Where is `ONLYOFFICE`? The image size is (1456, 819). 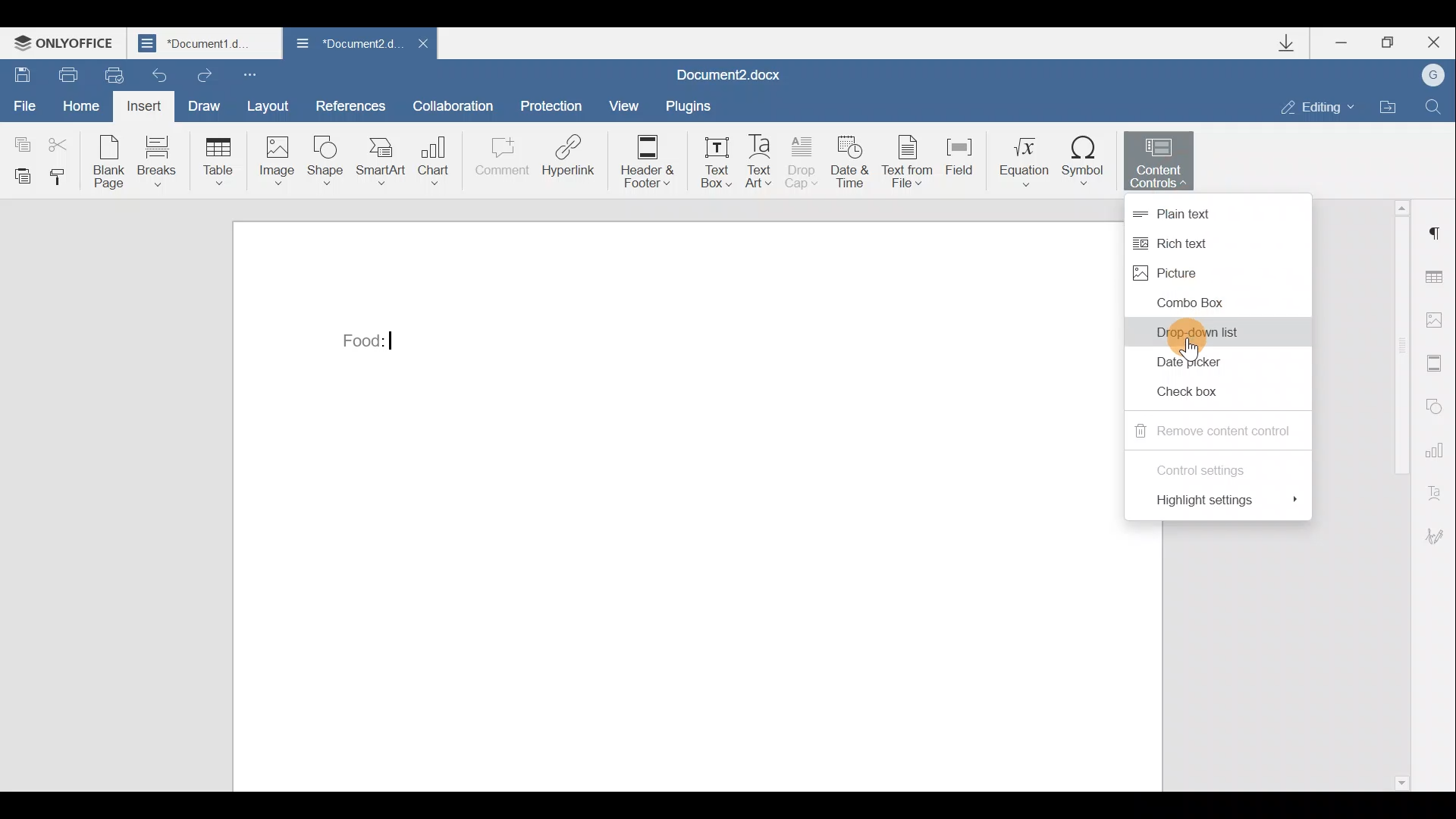 ONLYOFFICE is located at coordinates (67, 42).